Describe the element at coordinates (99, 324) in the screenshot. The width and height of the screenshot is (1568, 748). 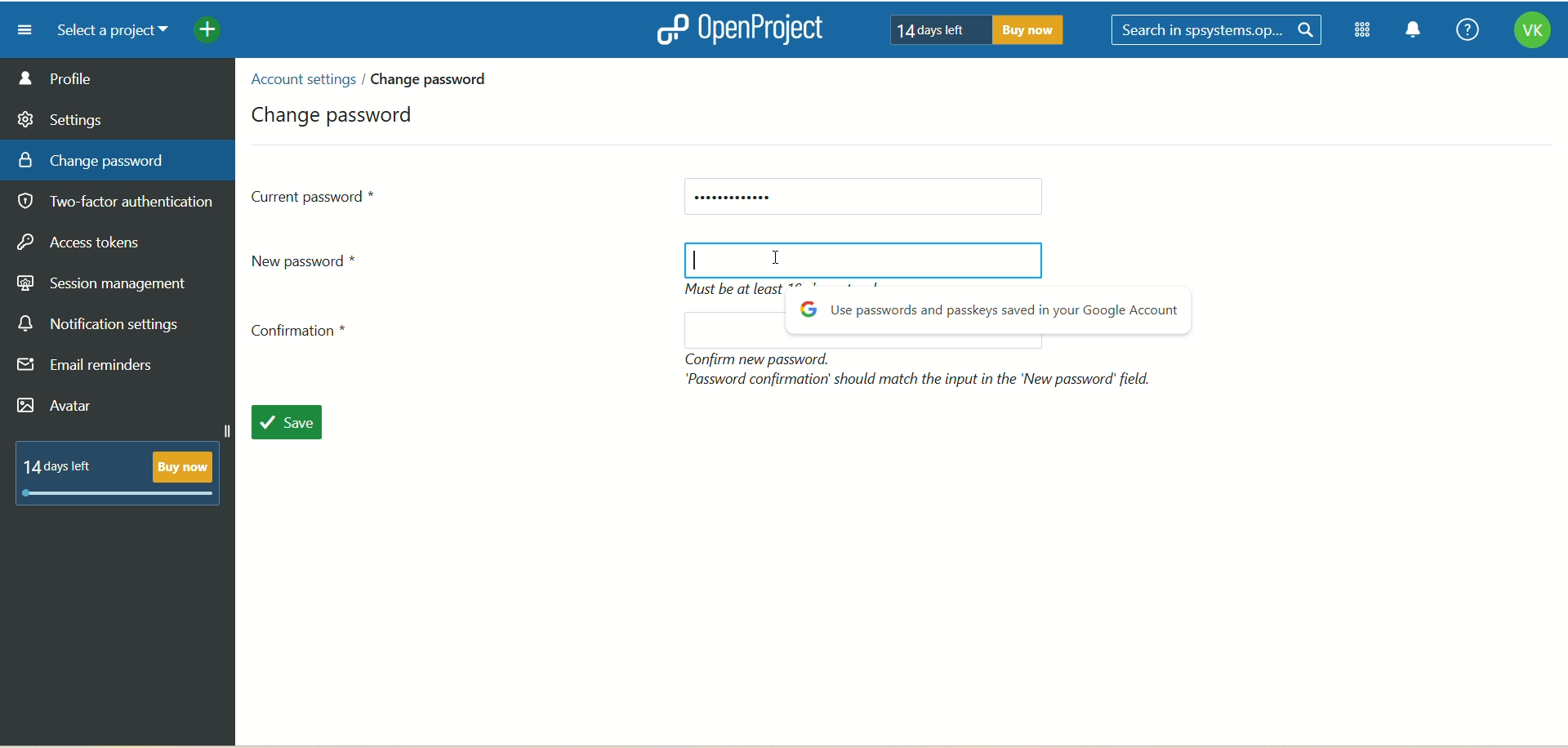
I see `notification settings` at that location.